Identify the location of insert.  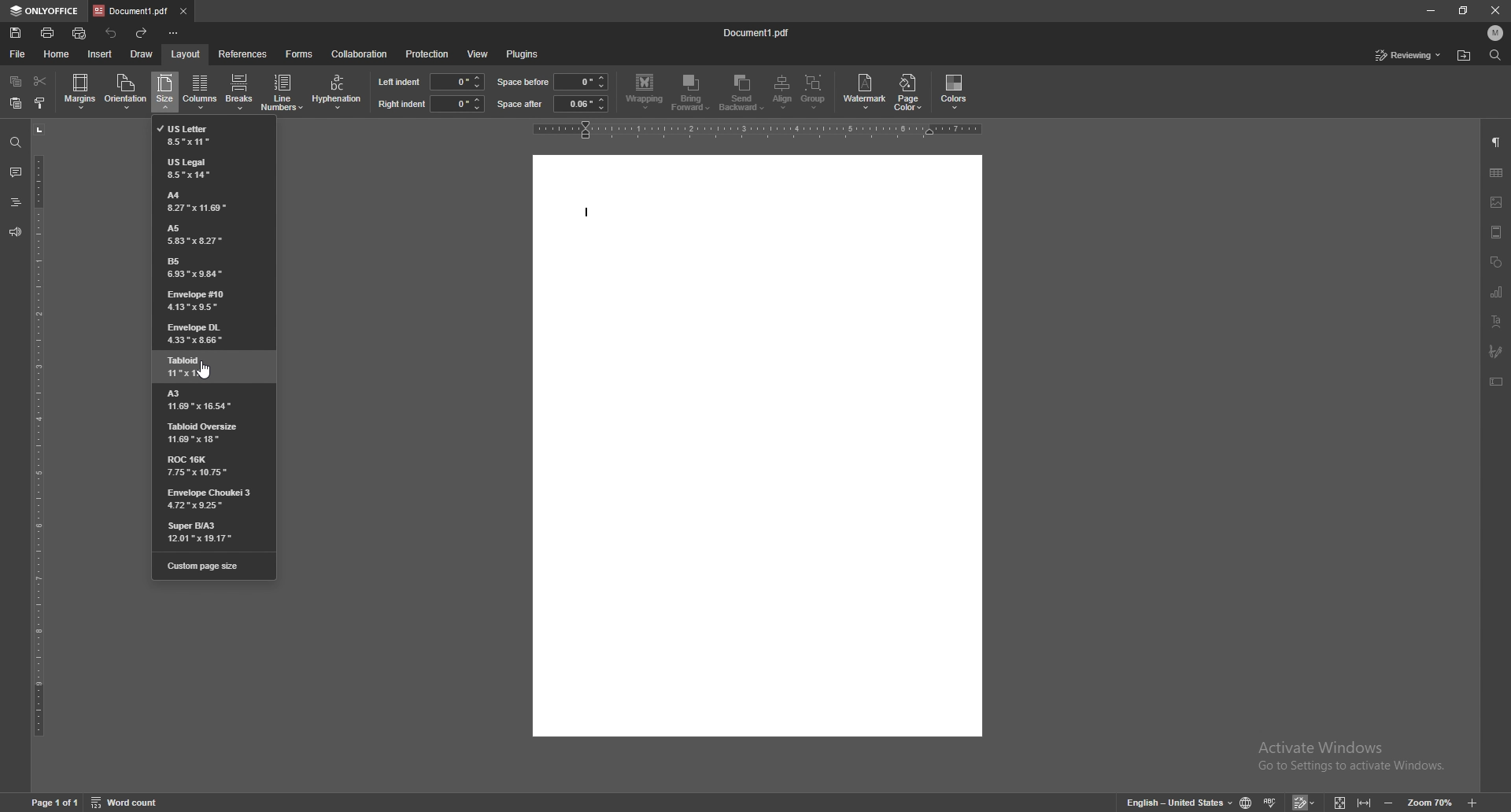
(100, 54).